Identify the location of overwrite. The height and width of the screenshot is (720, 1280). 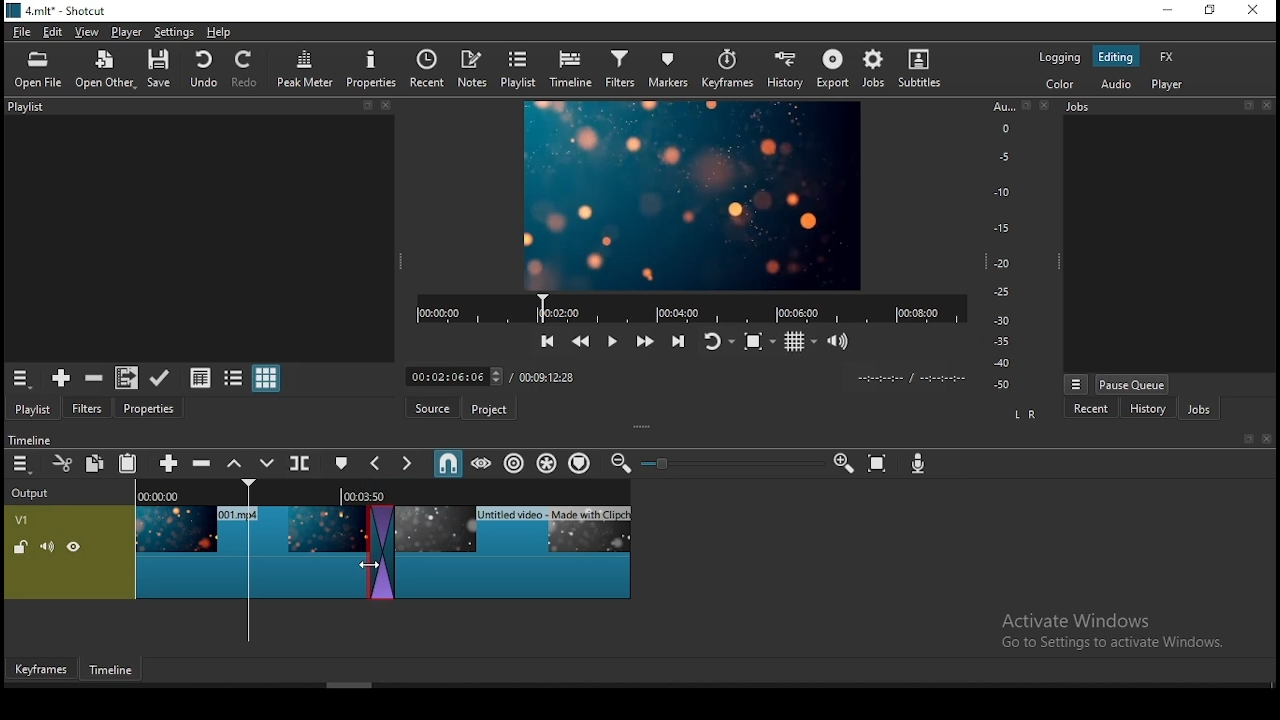
(267, 463).